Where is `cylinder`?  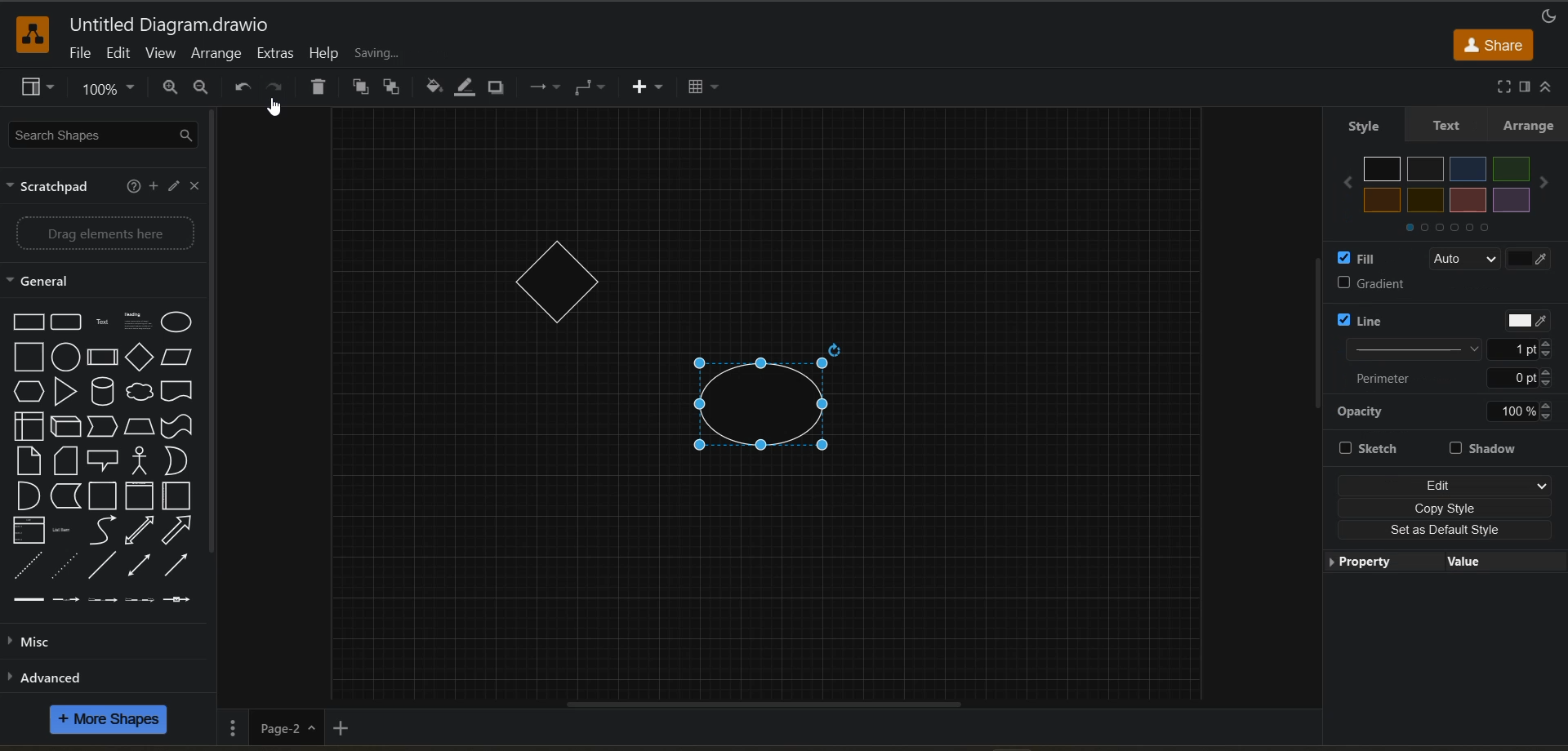
cylinder is located at coordinates (100, 391).